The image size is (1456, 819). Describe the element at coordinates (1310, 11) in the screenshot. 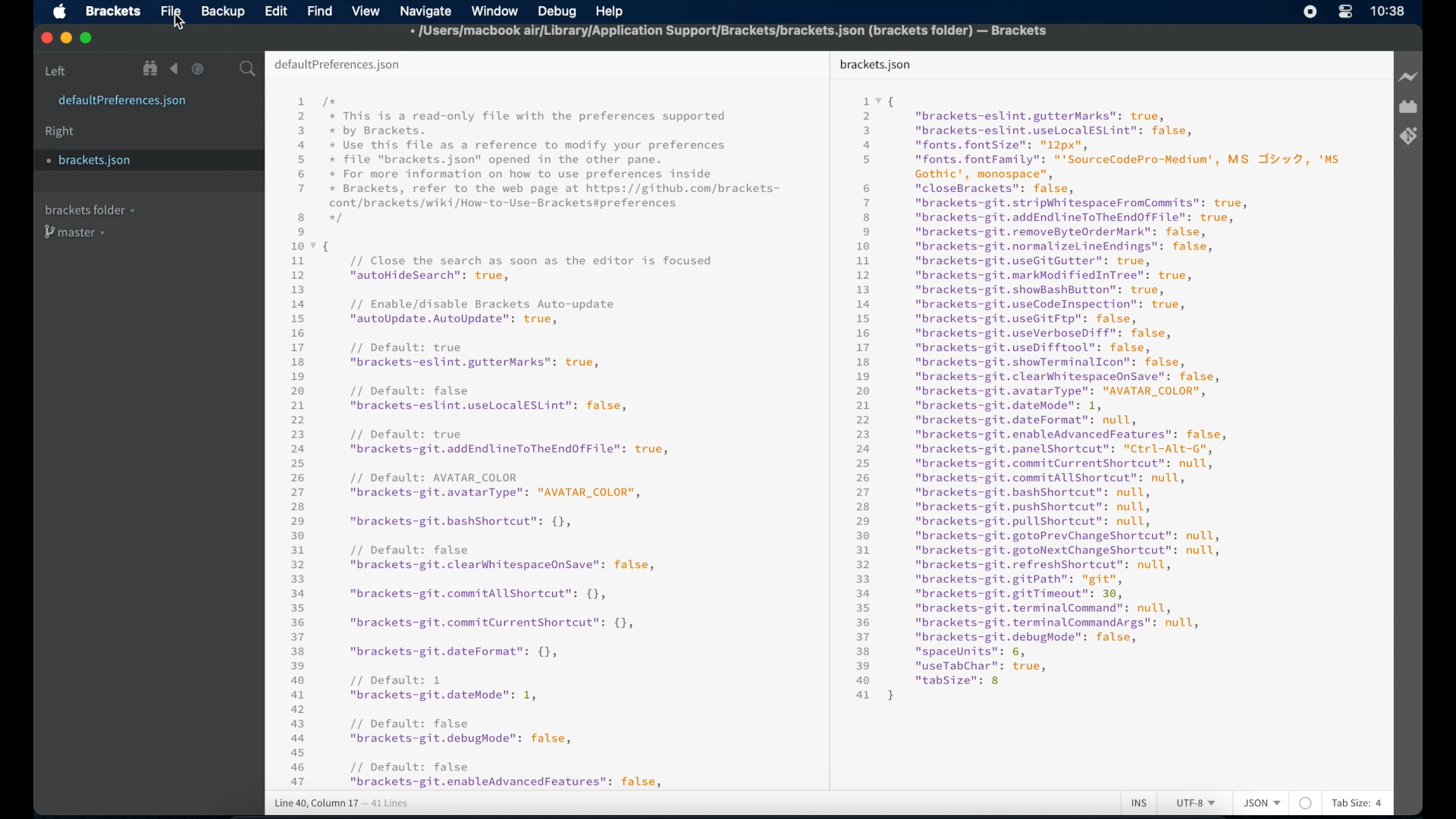

I see `screen recorder icon` at that location.